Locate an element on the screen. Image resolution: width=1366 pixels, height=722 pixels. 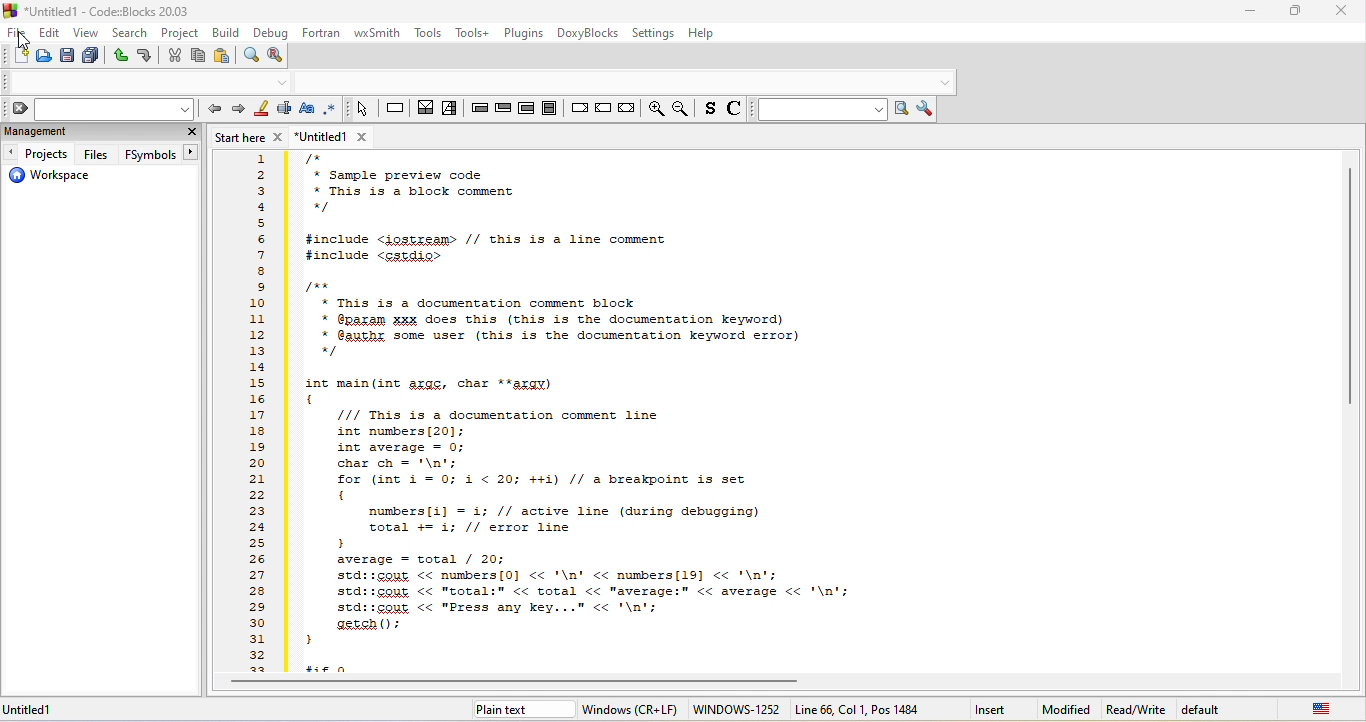
settings is located at coordinates (653, 34).